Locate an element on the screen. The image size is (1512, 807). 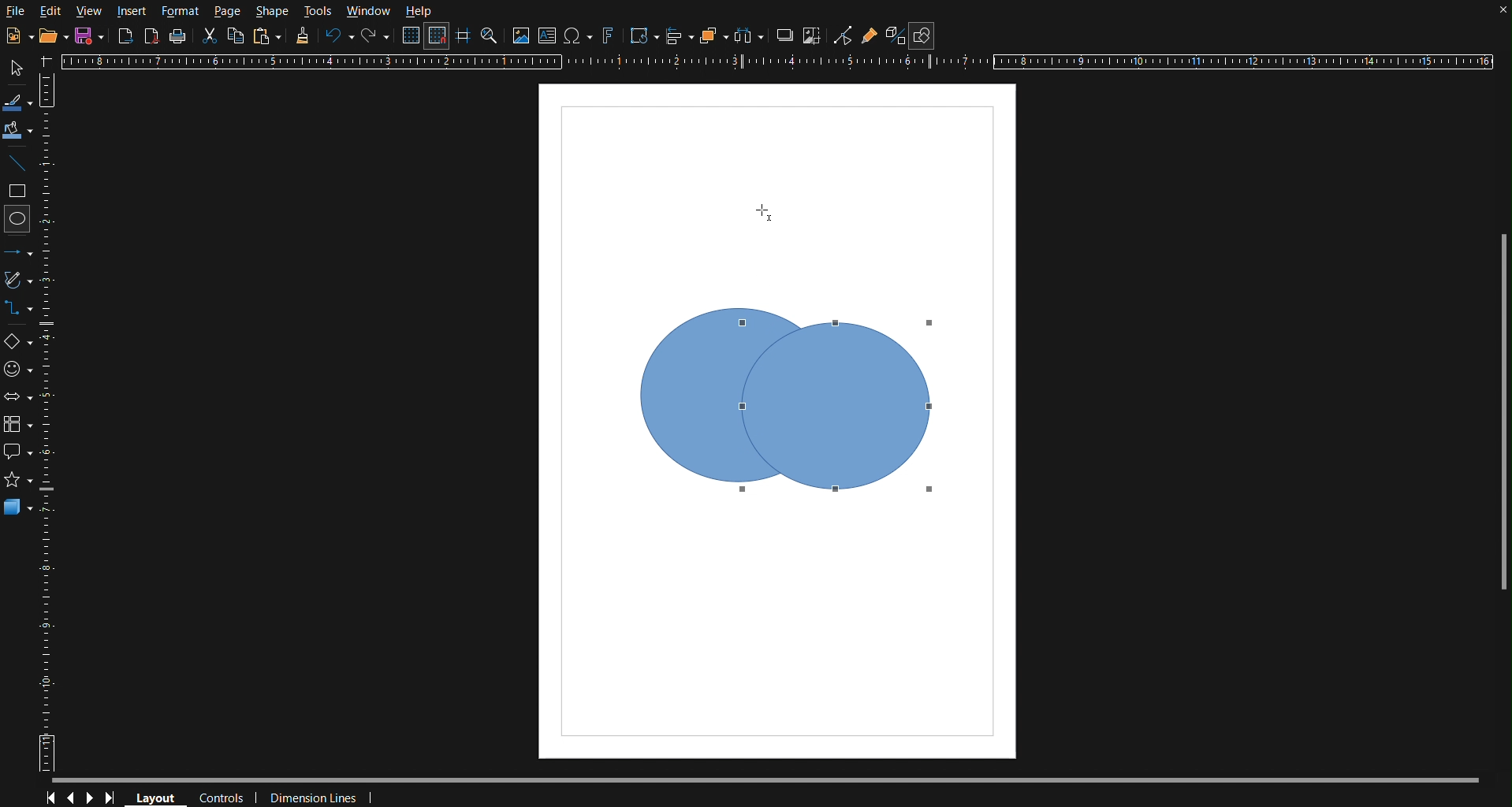
Insert Special Character is located at coordinates (579, 36).